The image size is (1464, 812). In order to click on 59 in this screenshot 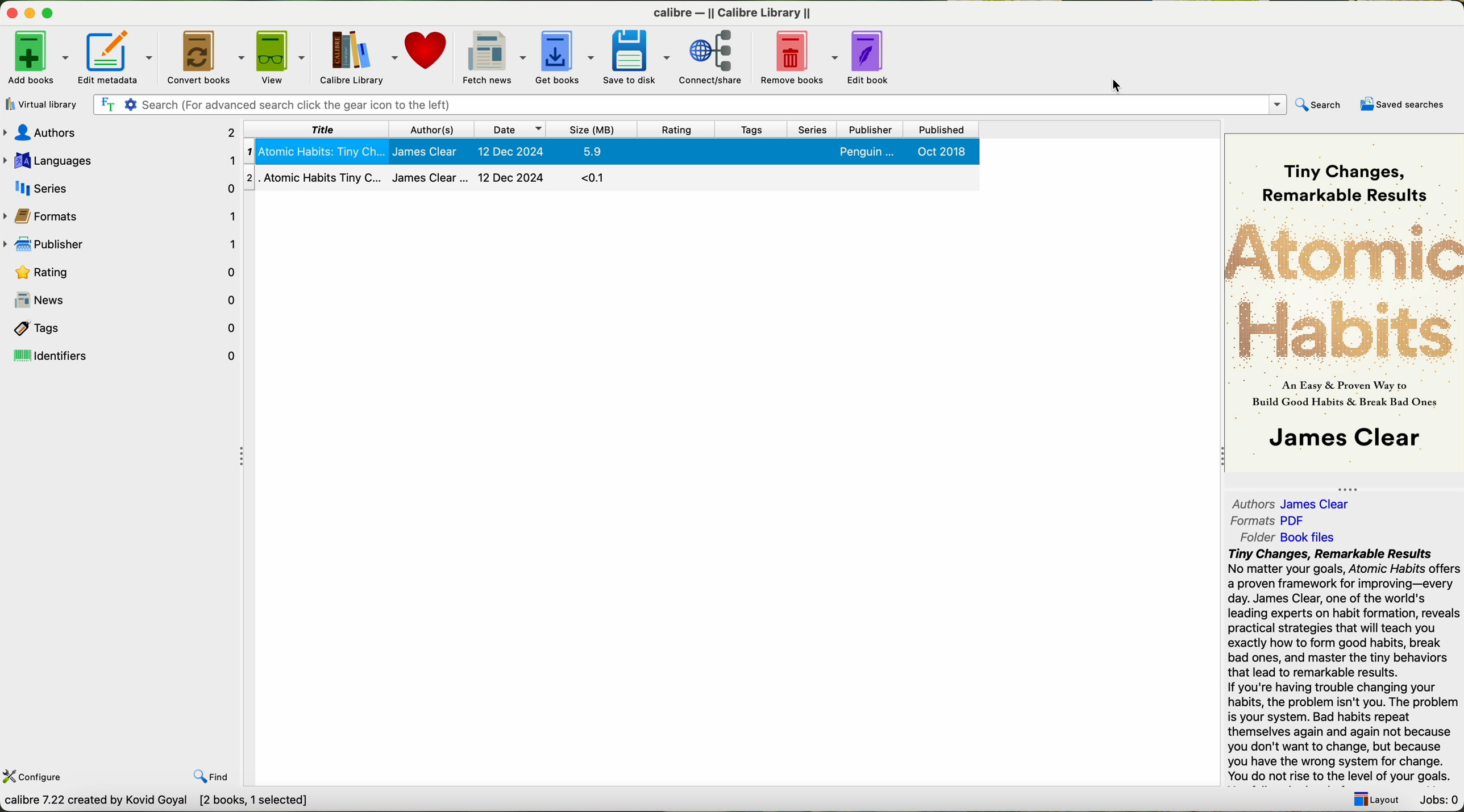, I will do `click(601, 151)`.